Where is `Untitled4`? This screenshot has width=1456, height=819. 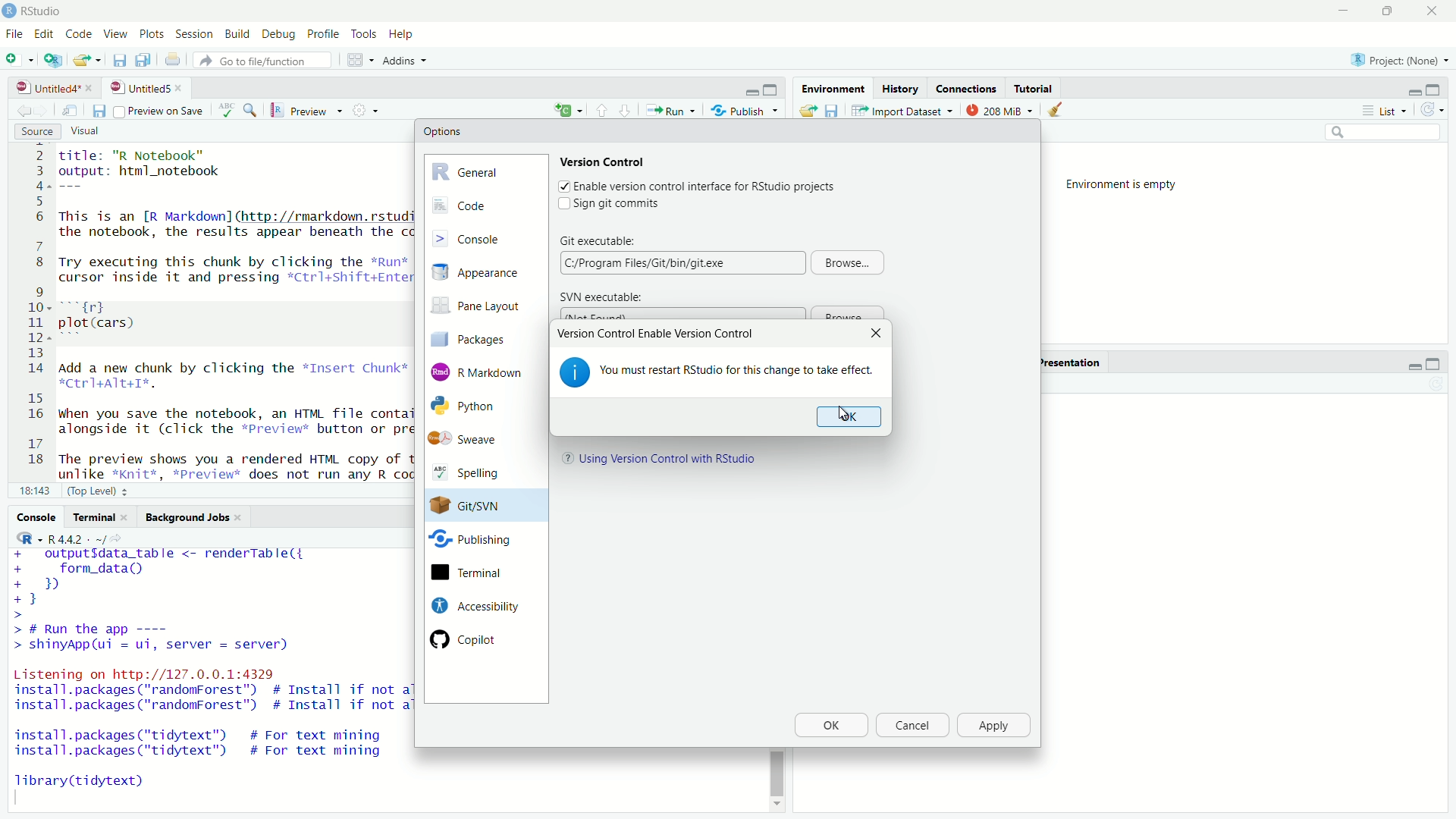 Untitled4 is located at coordinates (43, 88).